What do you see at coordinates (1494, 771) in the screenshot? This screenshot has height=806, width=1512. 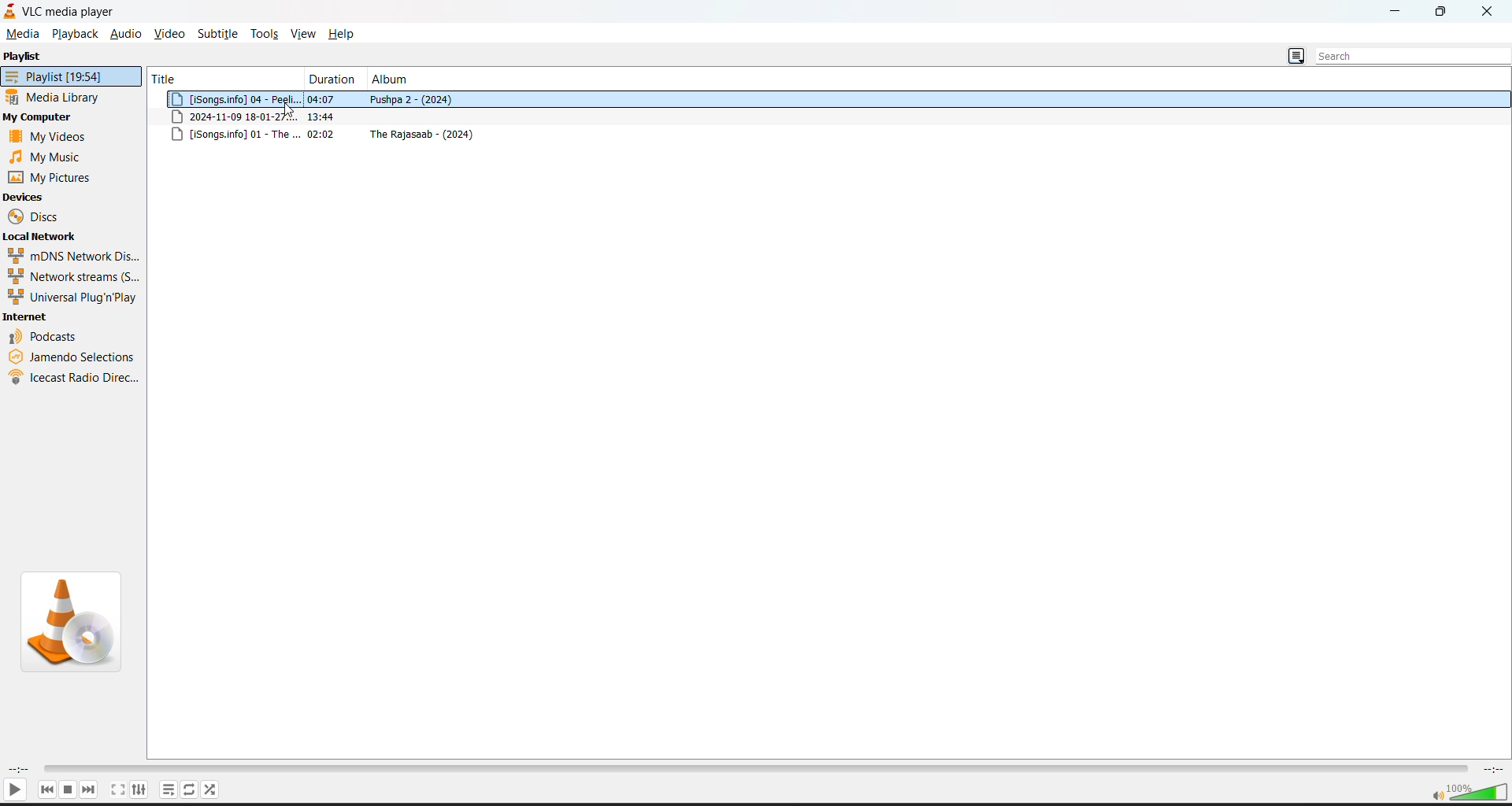 I see `total track time` at bounding box center [1494, 771].